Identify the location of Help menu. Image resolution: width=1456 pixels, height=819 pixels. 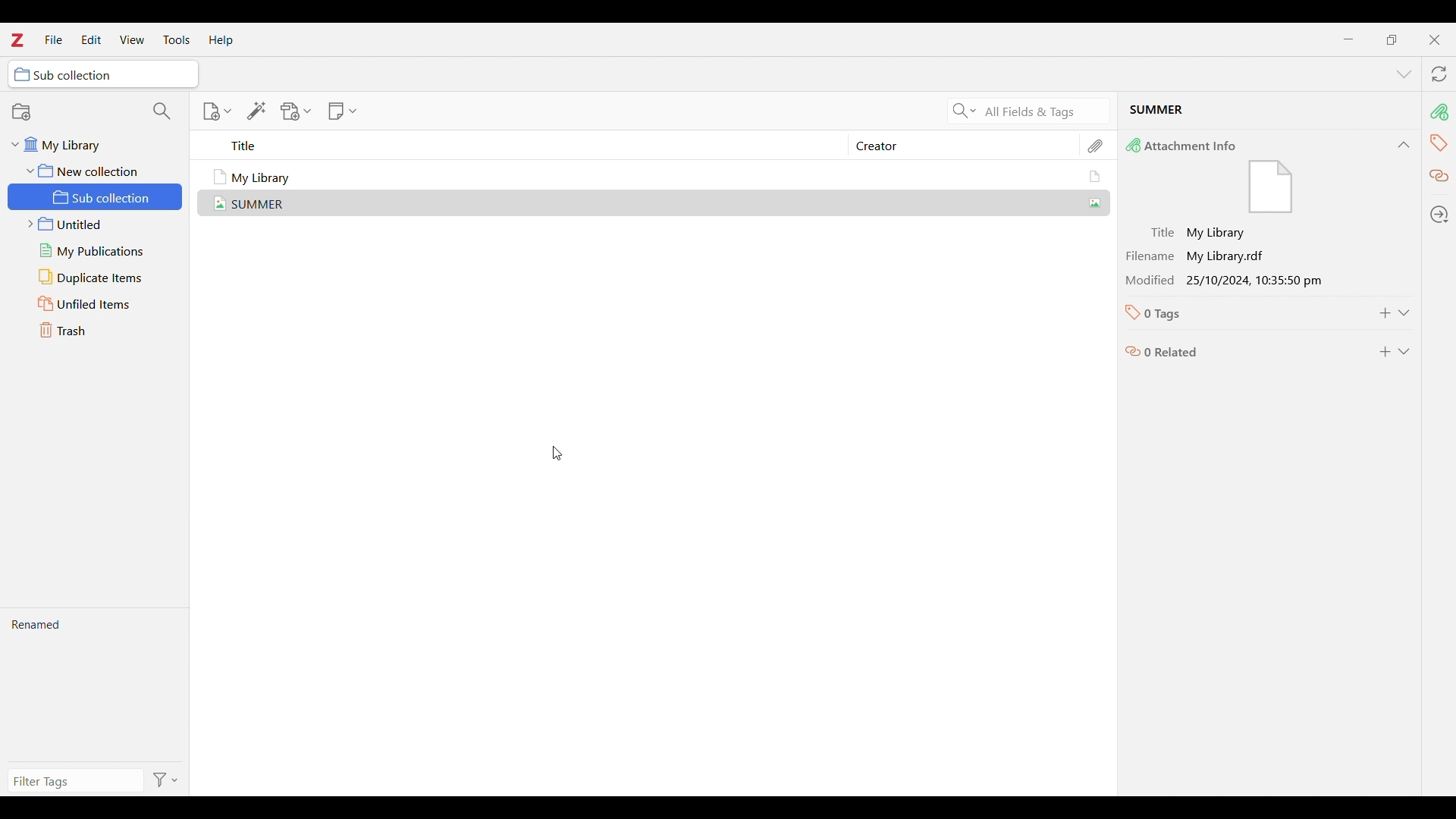
(221, 40).